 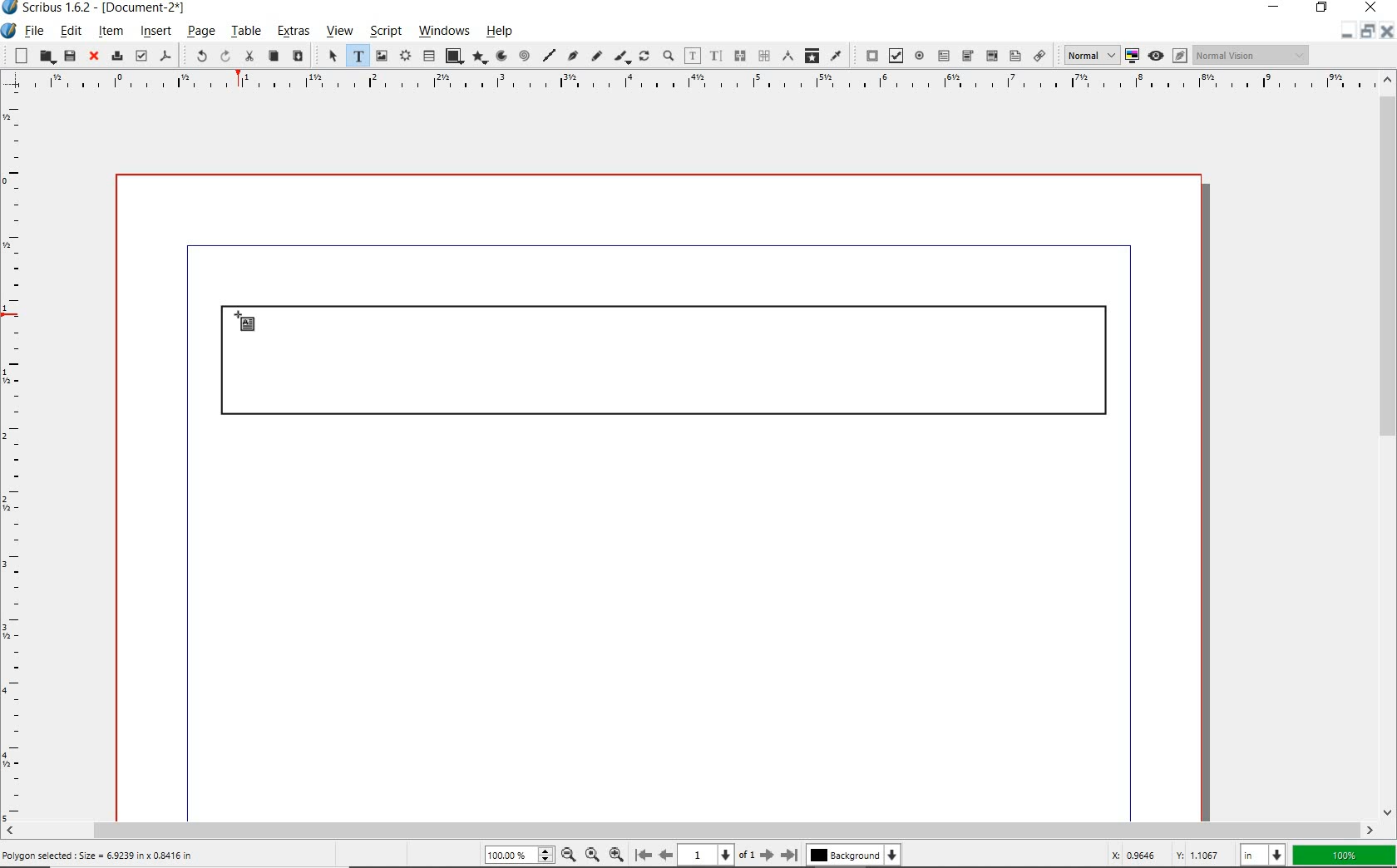 I want to click on image frame, so click(x=381, y=56).